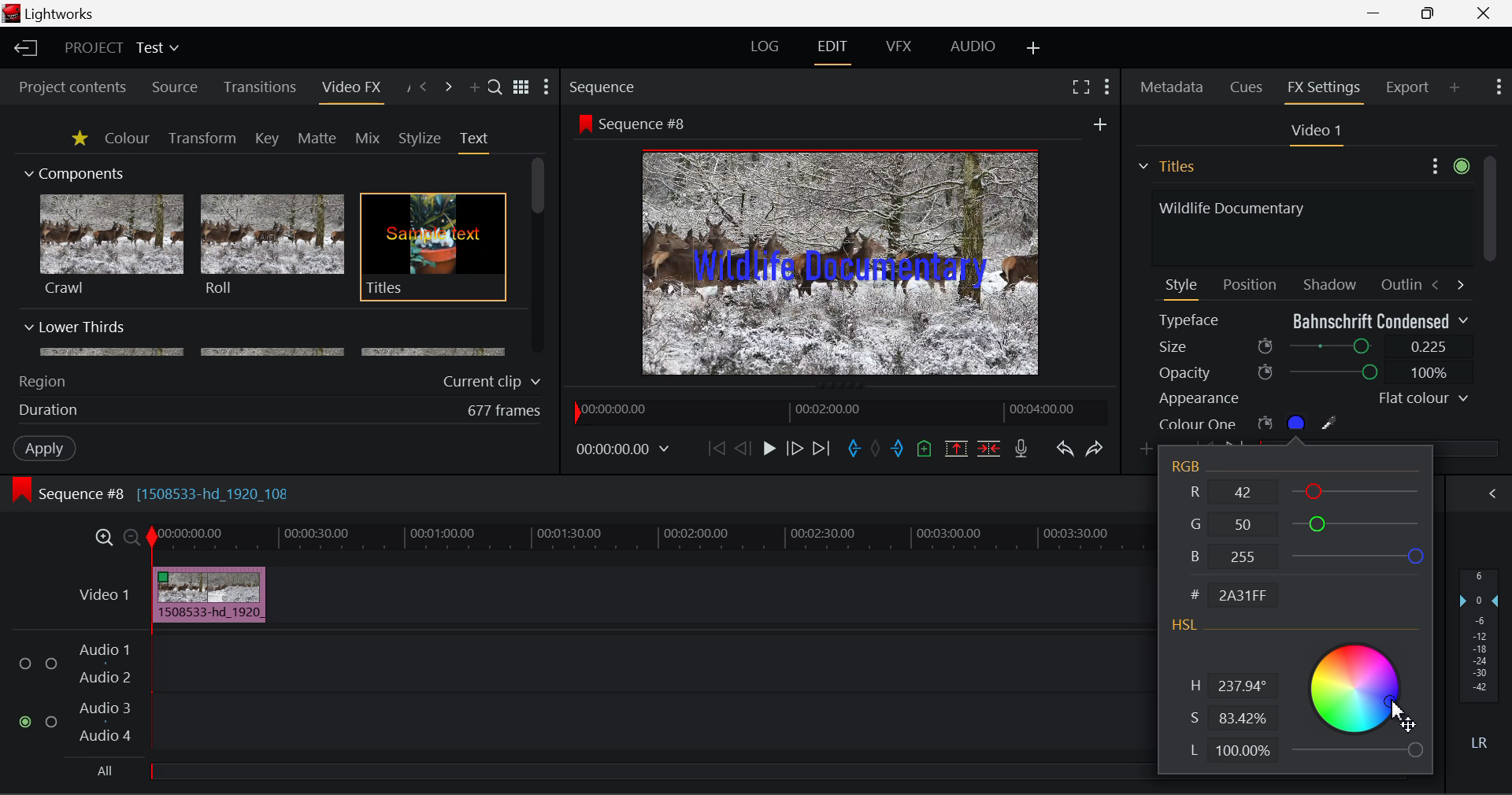 This screenshot has height=795, width=1512. Describe the element at coordinates (433, 248) in the screenshot. I see `Titles` at that location.